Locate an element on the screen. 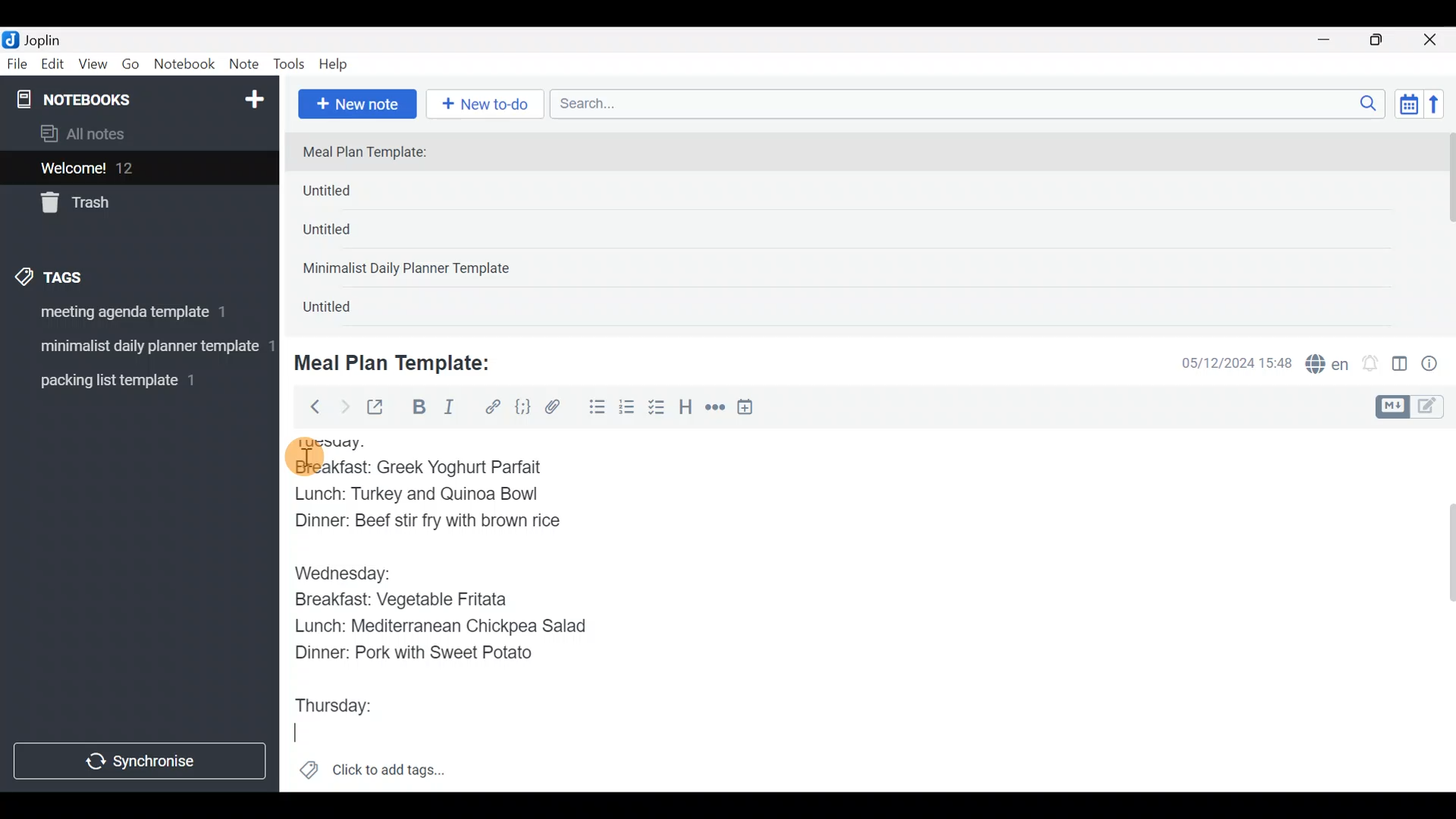 The height and width of the screenshot is (819, 1456). Minimalist Daily Planner Template is located at coordinates (411, 270).